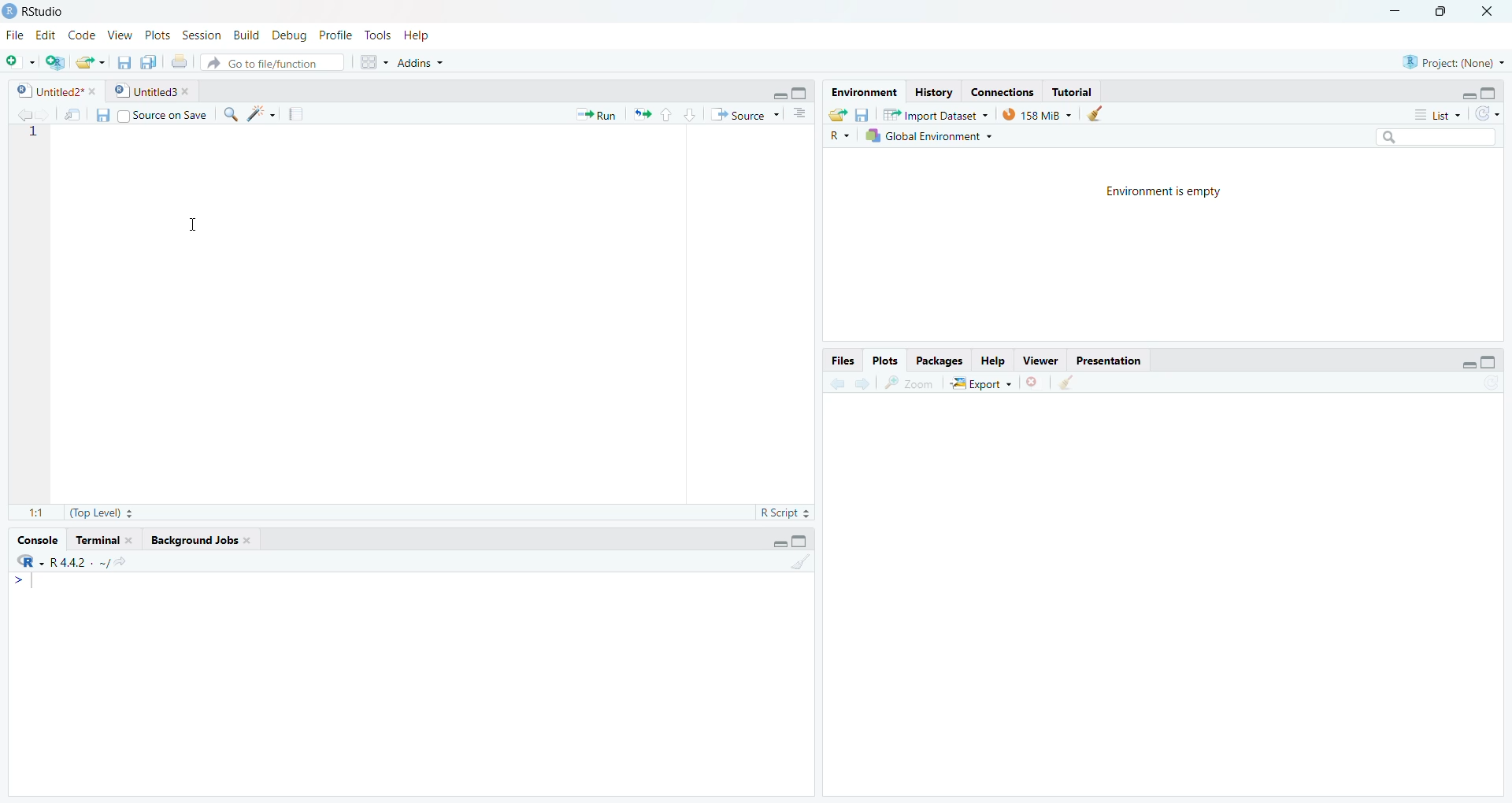  Describe the element at coordinates (46, 32) in the screenshot. I see `Edit` at that location.